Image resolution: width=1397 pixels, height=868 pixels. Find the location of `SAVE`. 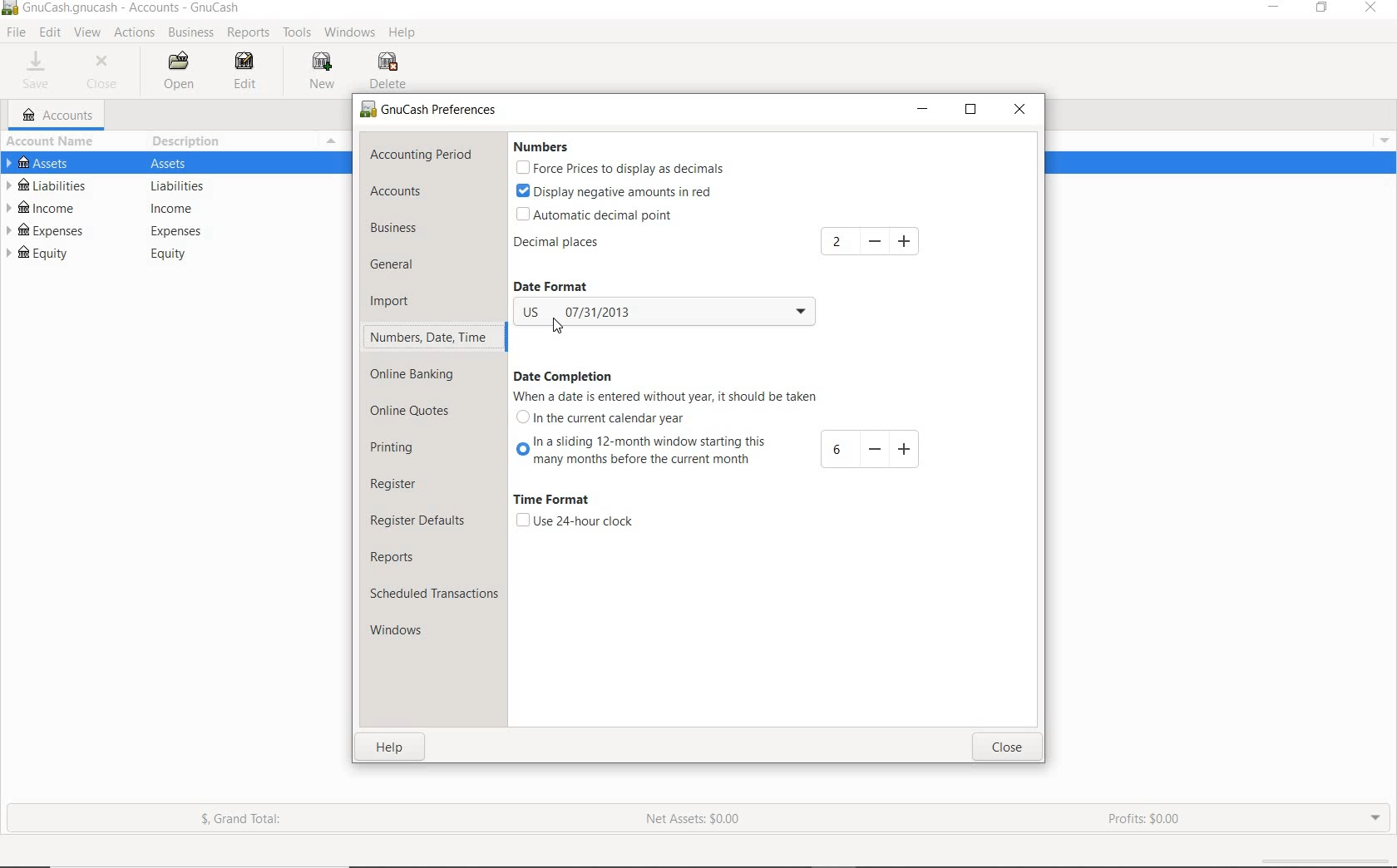

SAVE is located at coordinates (37, 72).